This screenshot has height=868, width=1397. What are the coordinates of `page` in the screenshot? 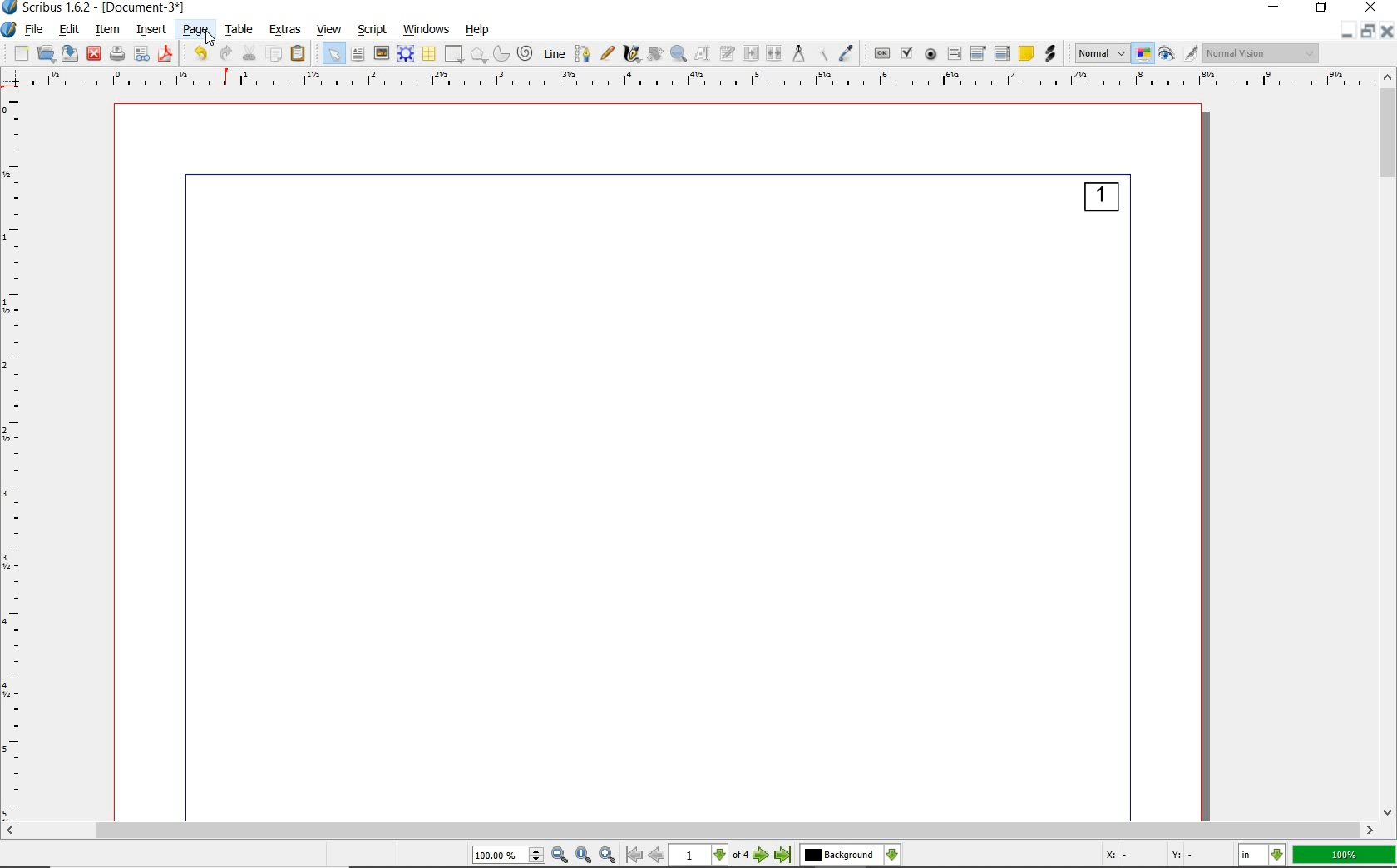 It's located at (195, 29).